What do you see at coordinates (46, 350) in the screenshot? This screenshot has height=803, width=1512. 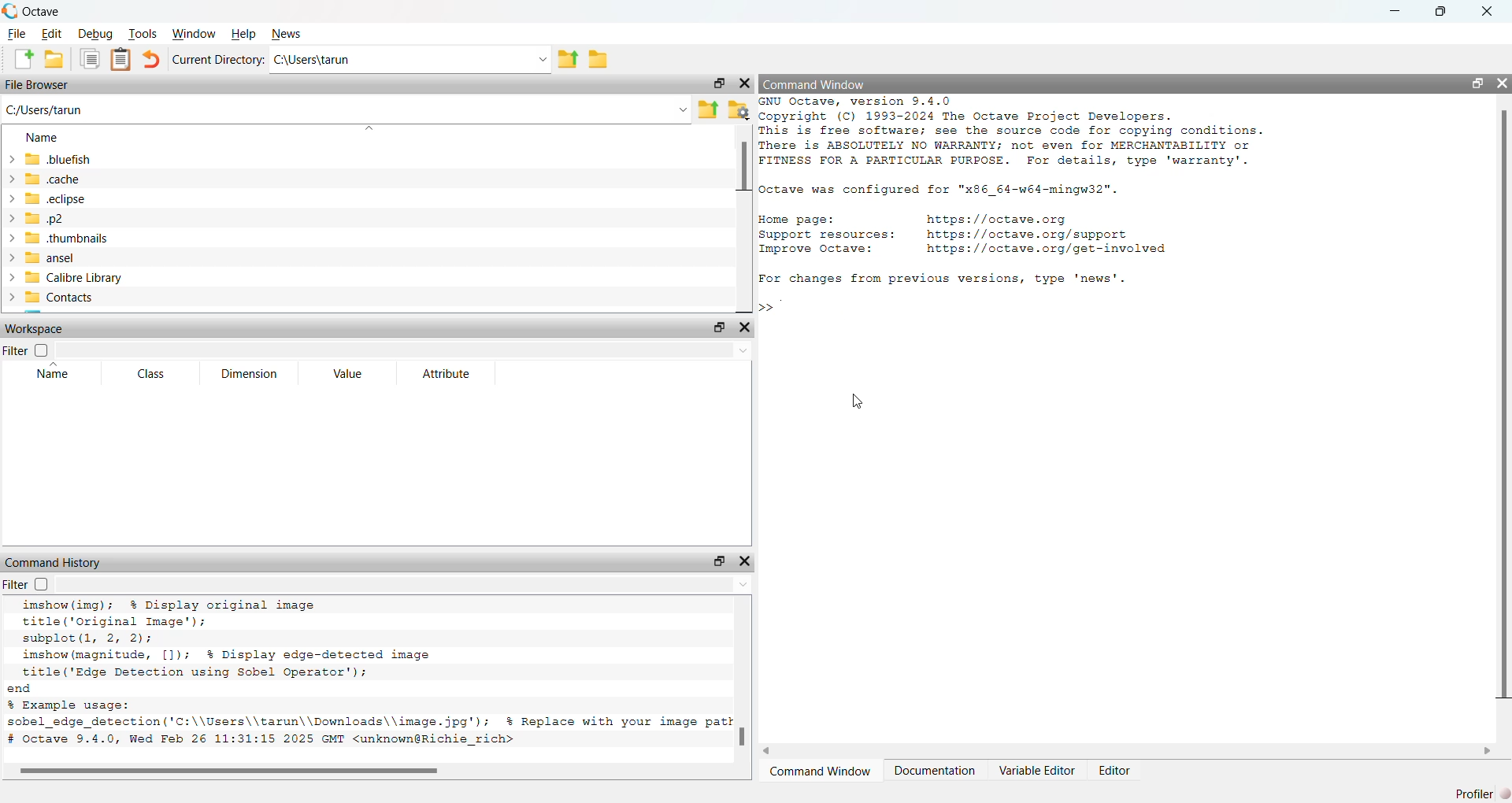 I see `checkbox` at bounding box center [46, 350].